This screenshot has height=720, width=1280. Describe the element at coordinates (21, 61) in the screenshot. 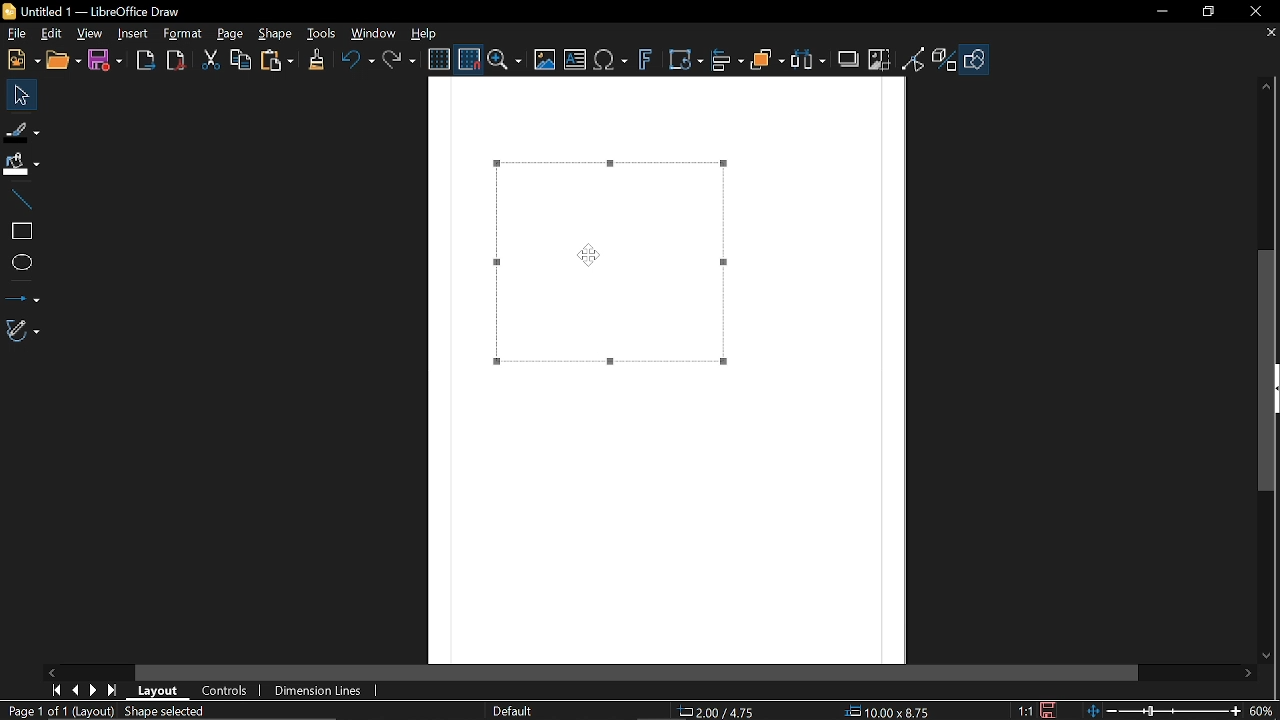

I see `New` at that location.